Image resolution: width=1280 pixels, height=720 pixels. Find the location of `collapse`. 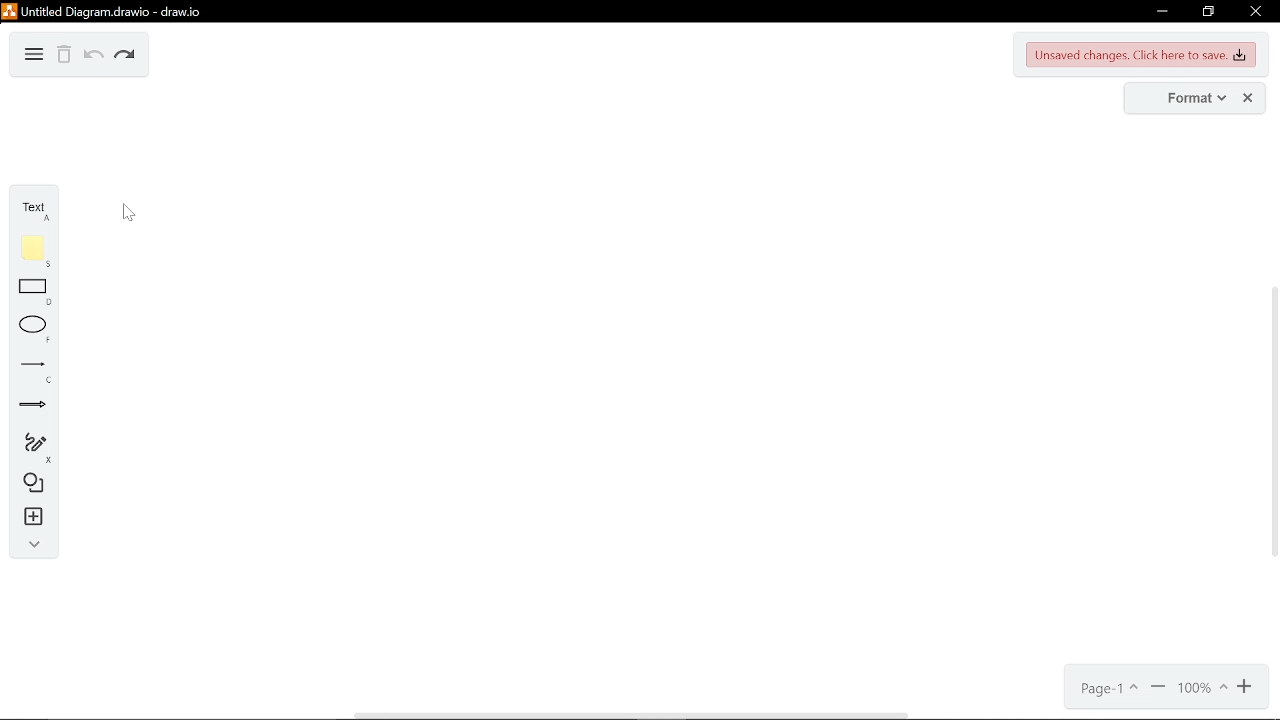

collapse is located at coordinates (35, 545).